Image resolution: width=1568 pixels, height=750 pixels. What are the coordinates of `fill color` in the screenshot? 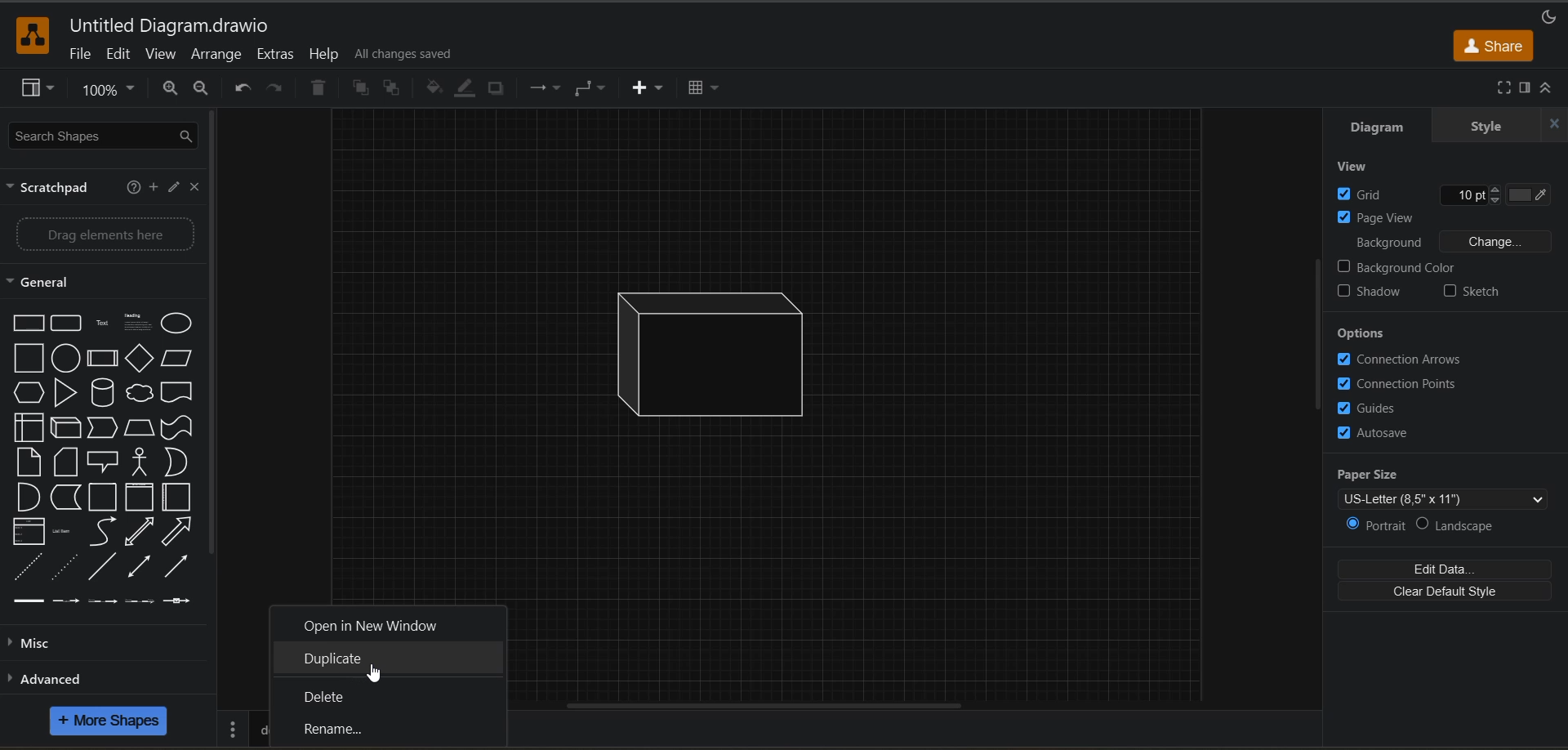 It's located at (437, 89).